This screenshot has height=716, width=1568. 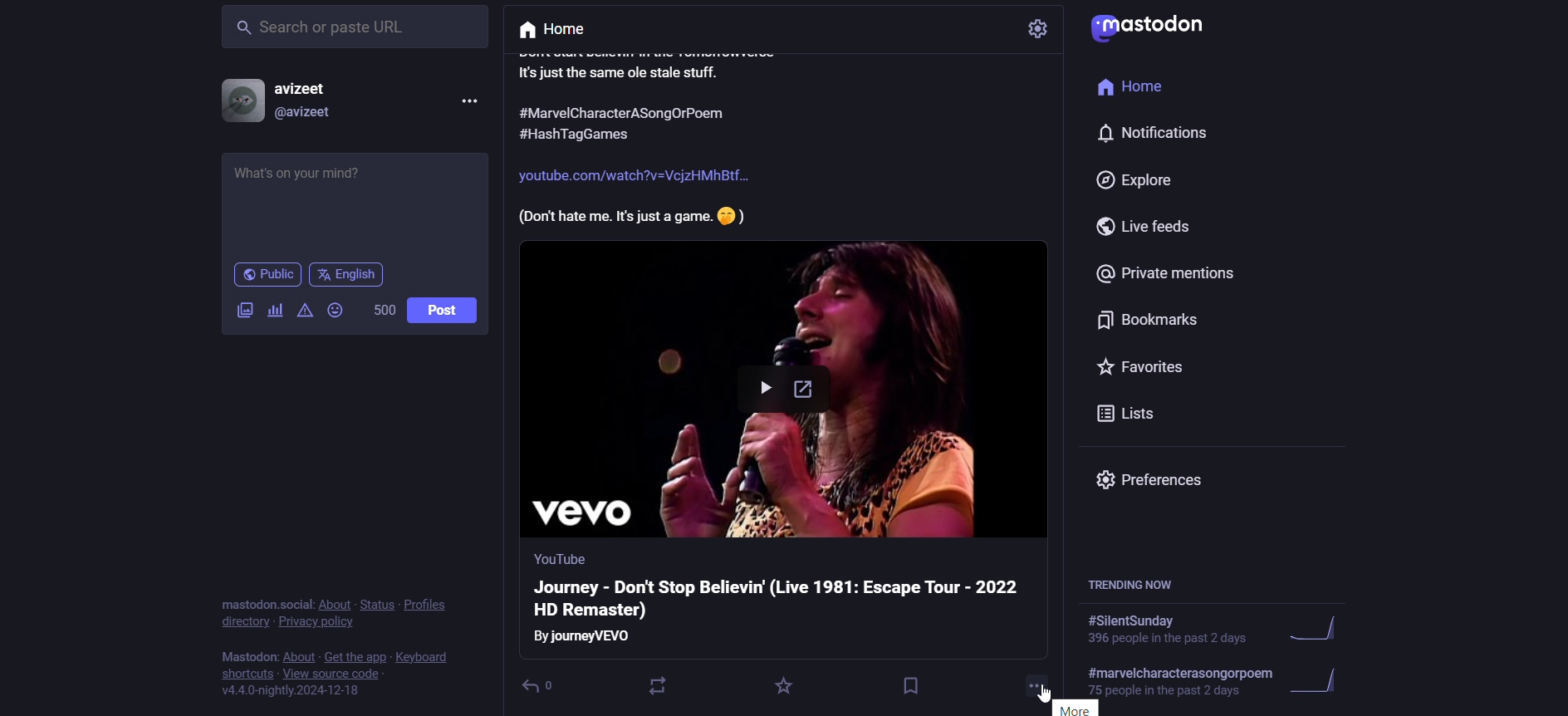 I want to click on notification, so click(x=1152, y=134).